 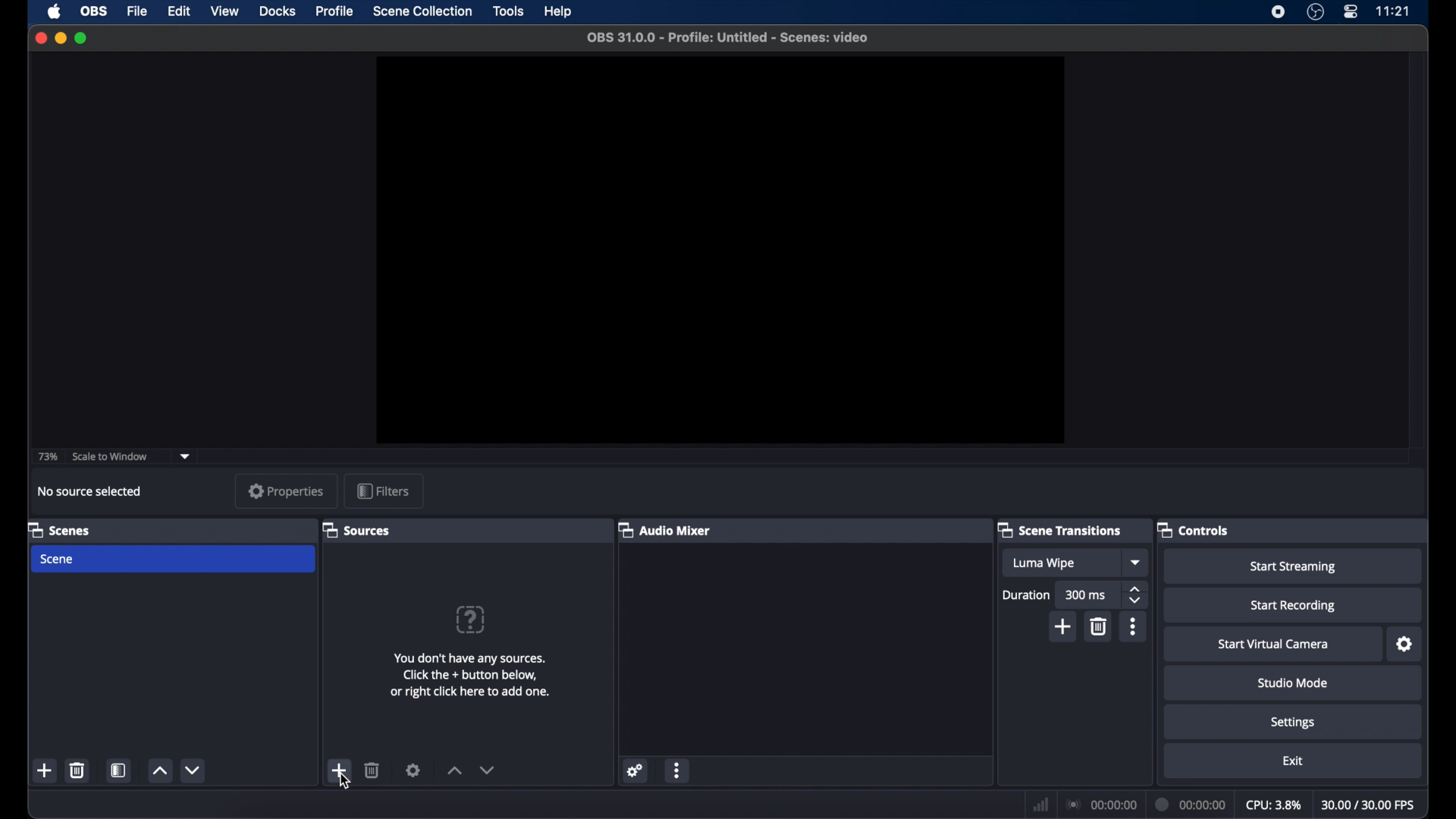 I want to click on dropdown, so click(x=185, y=457).